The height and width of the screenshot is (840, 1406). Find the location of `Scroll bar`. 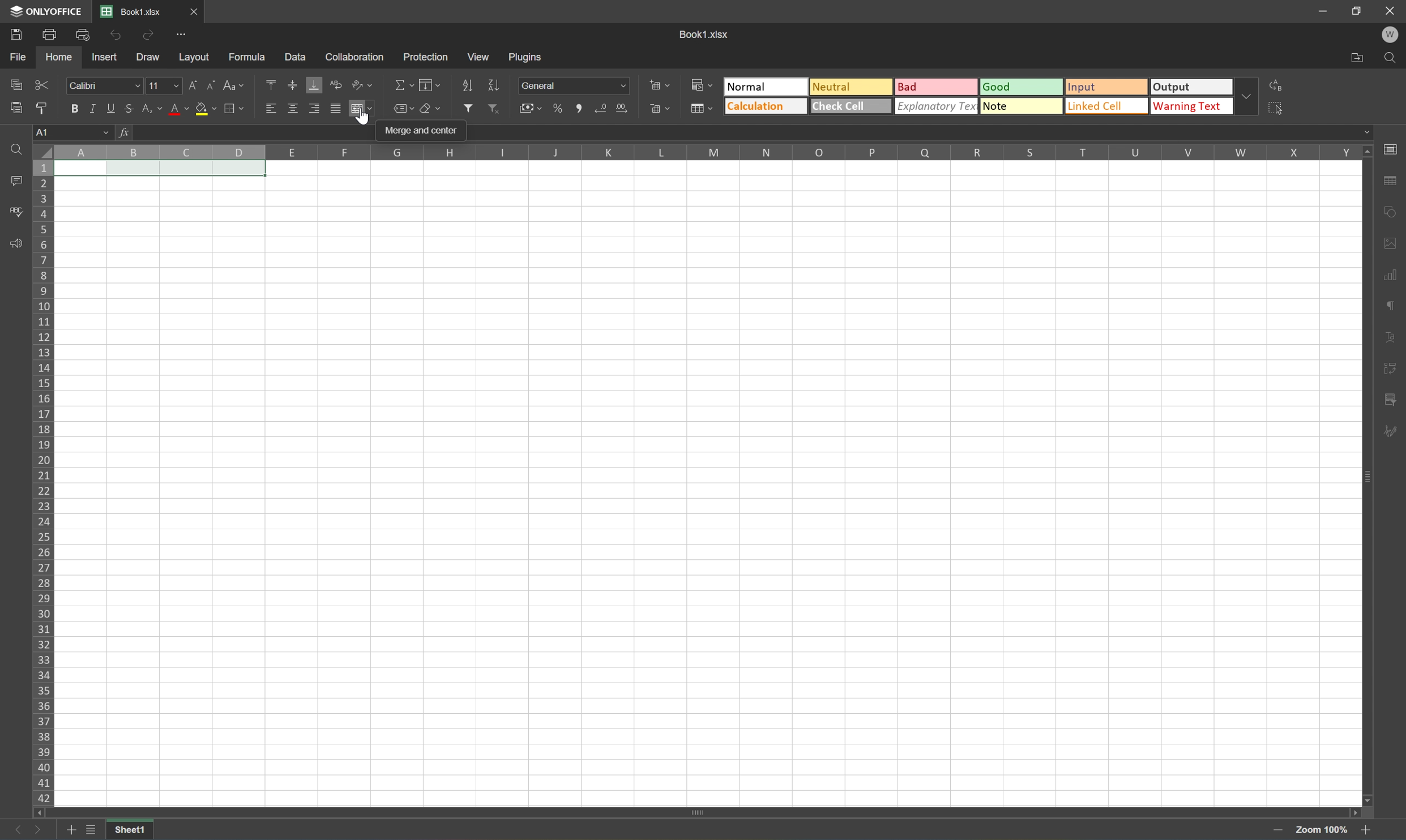

Scroll bar is located at coordinates (695, 811).